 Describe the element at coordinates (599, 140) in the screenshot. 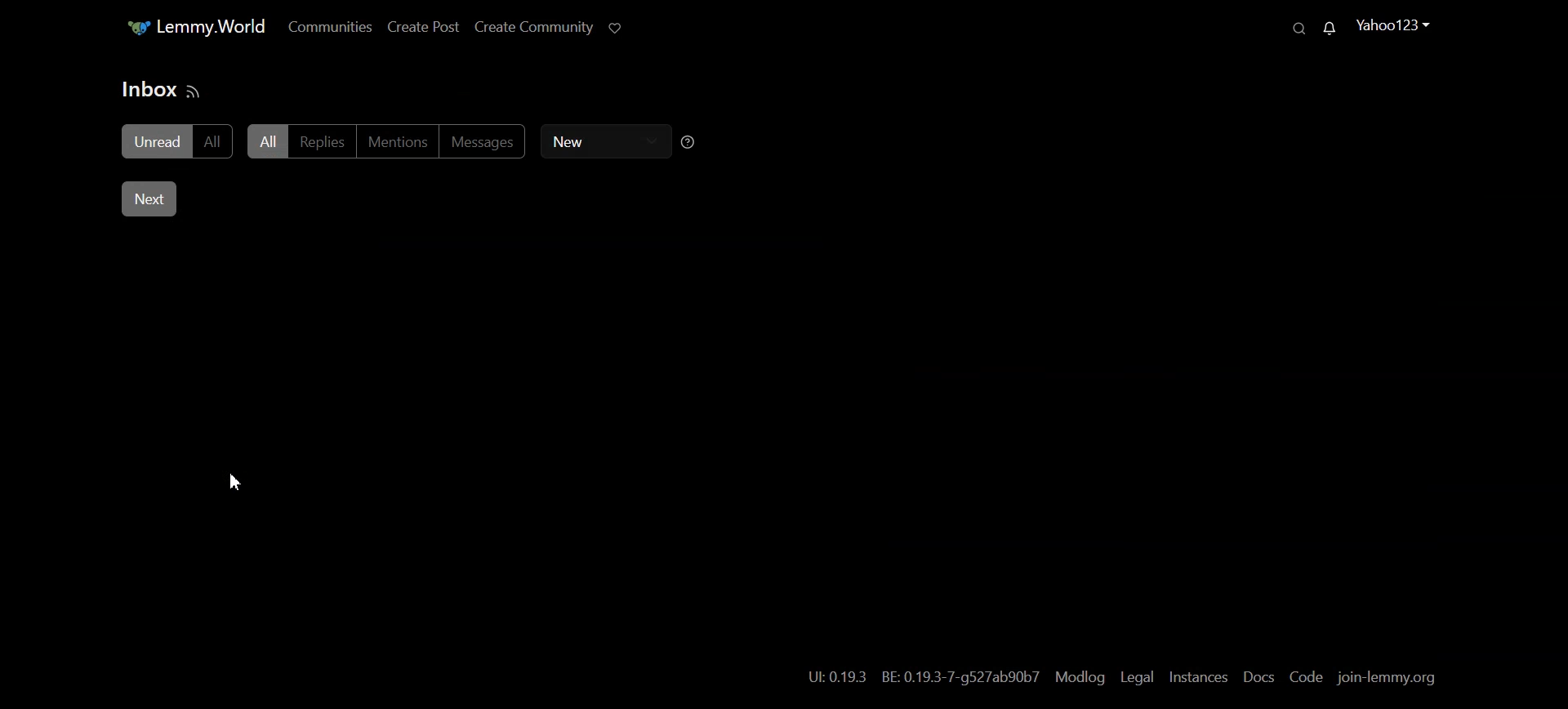

I see `New` at that location.